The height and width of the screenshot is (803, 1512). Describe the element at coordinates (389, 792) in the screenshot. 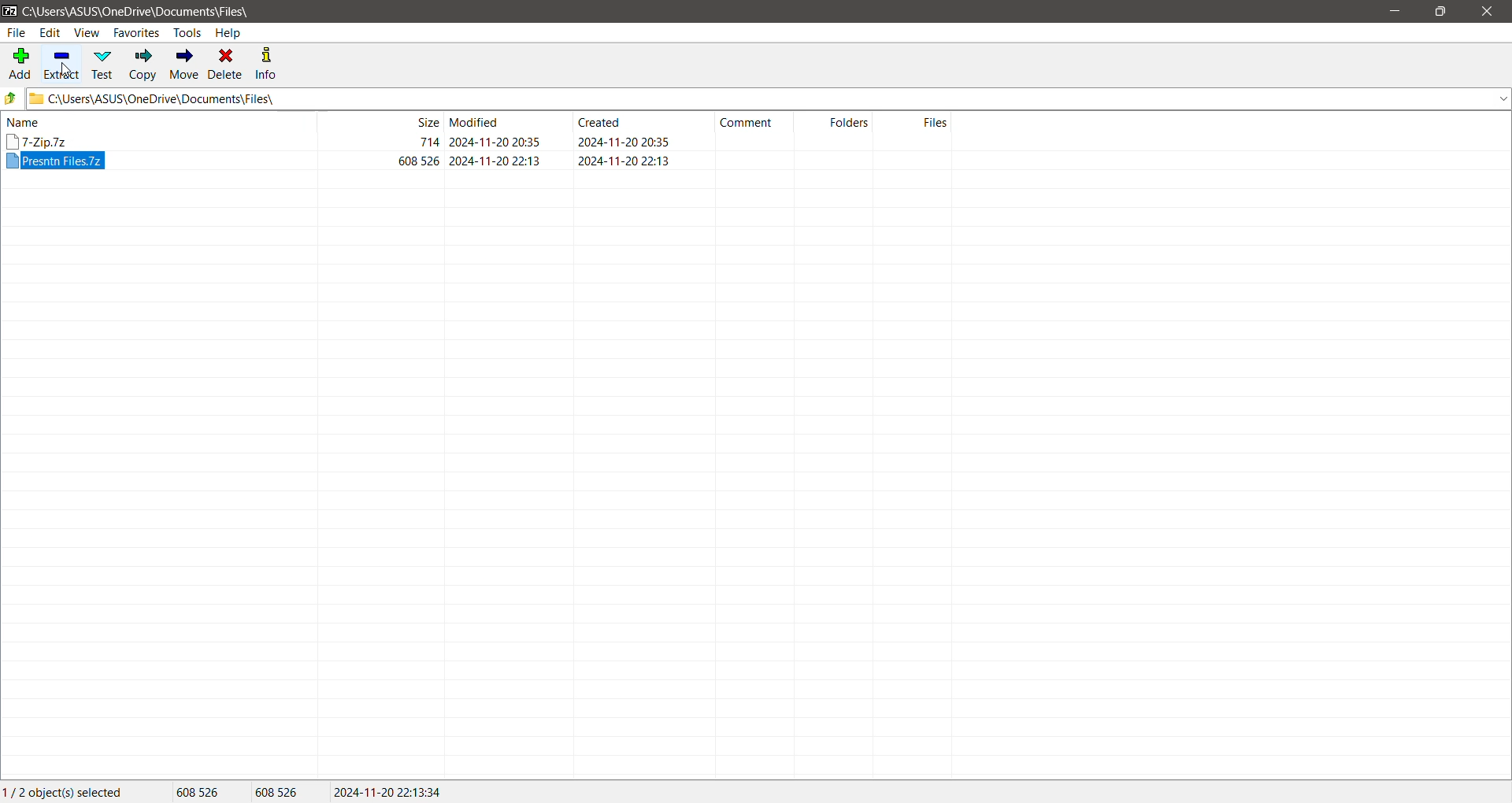

I see `Modified Date of the selected file` at that location.